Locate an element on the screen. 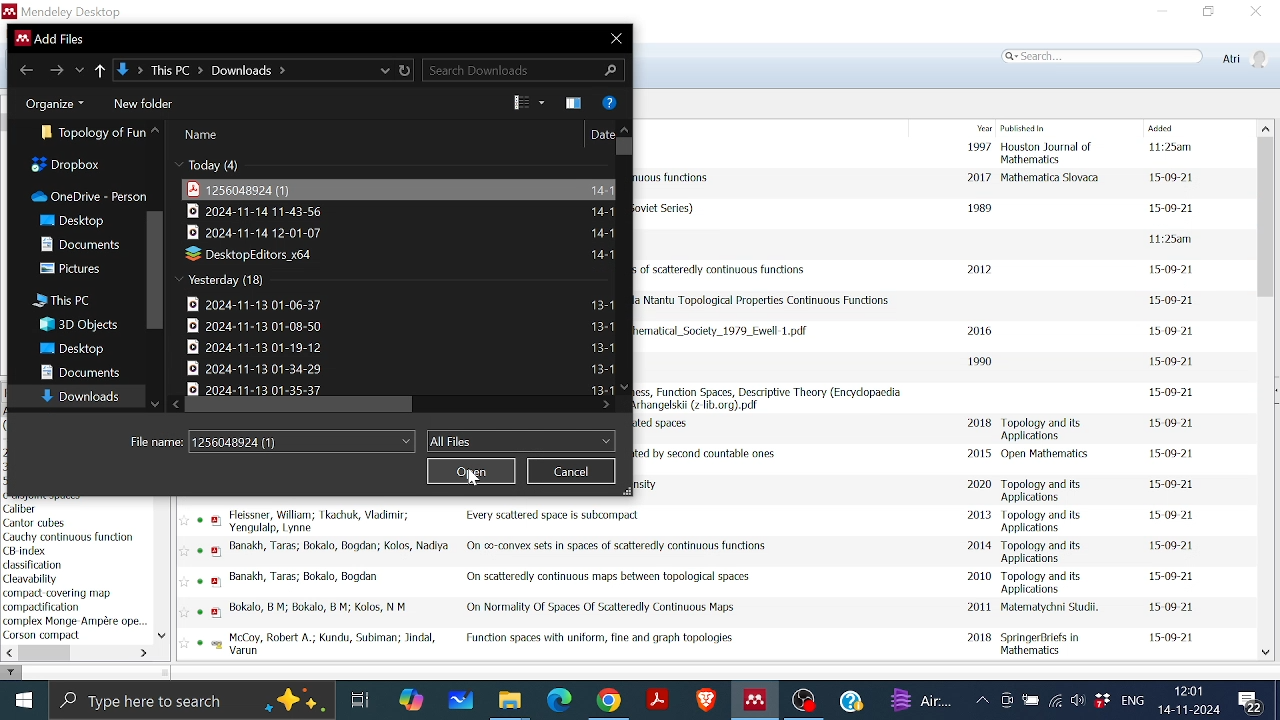  current window information is located at coordinates (52, 38).